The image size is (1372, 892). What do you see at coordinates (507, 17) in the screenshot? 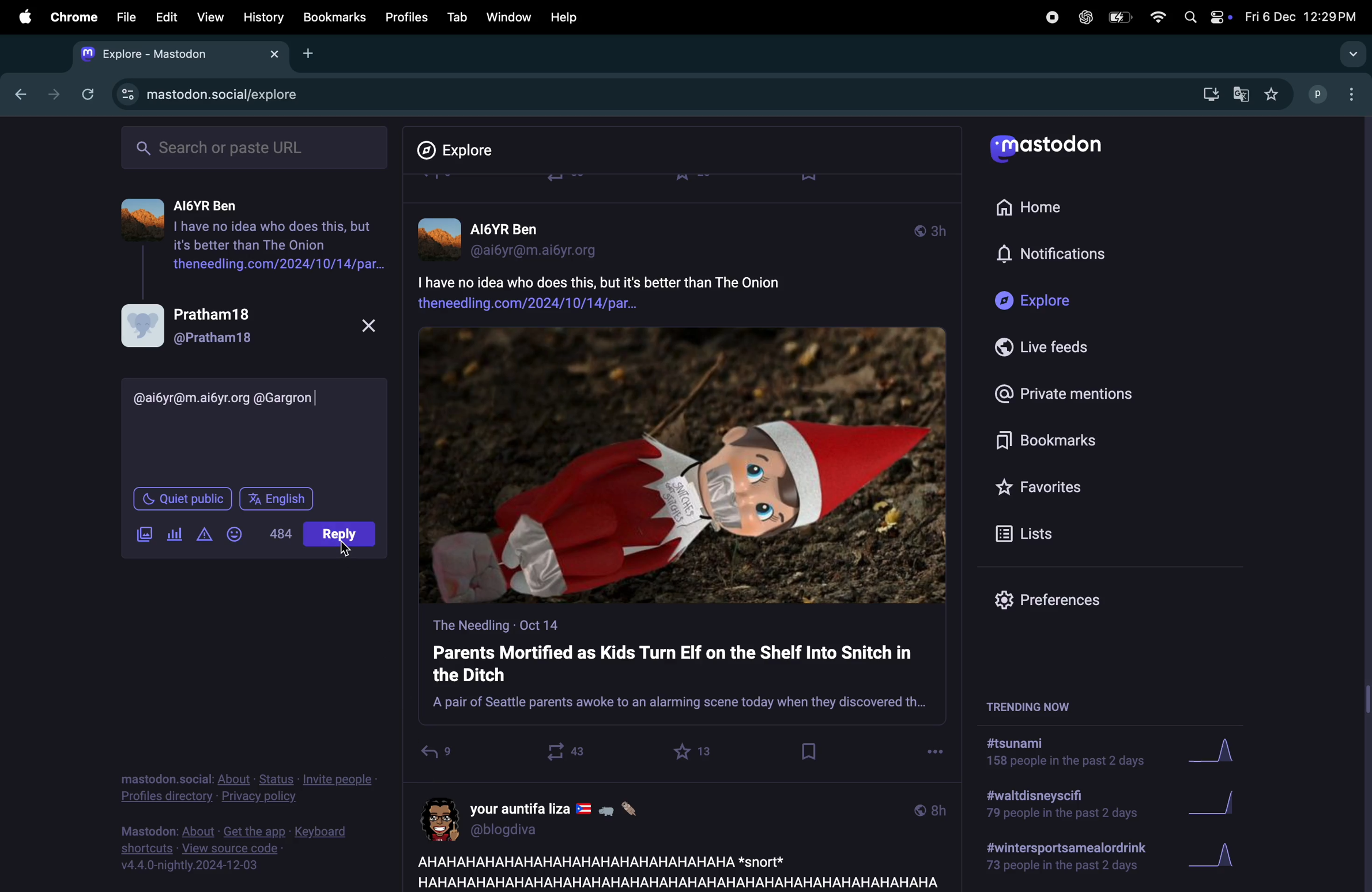
I see `Window` at bounding box center [507, 17].